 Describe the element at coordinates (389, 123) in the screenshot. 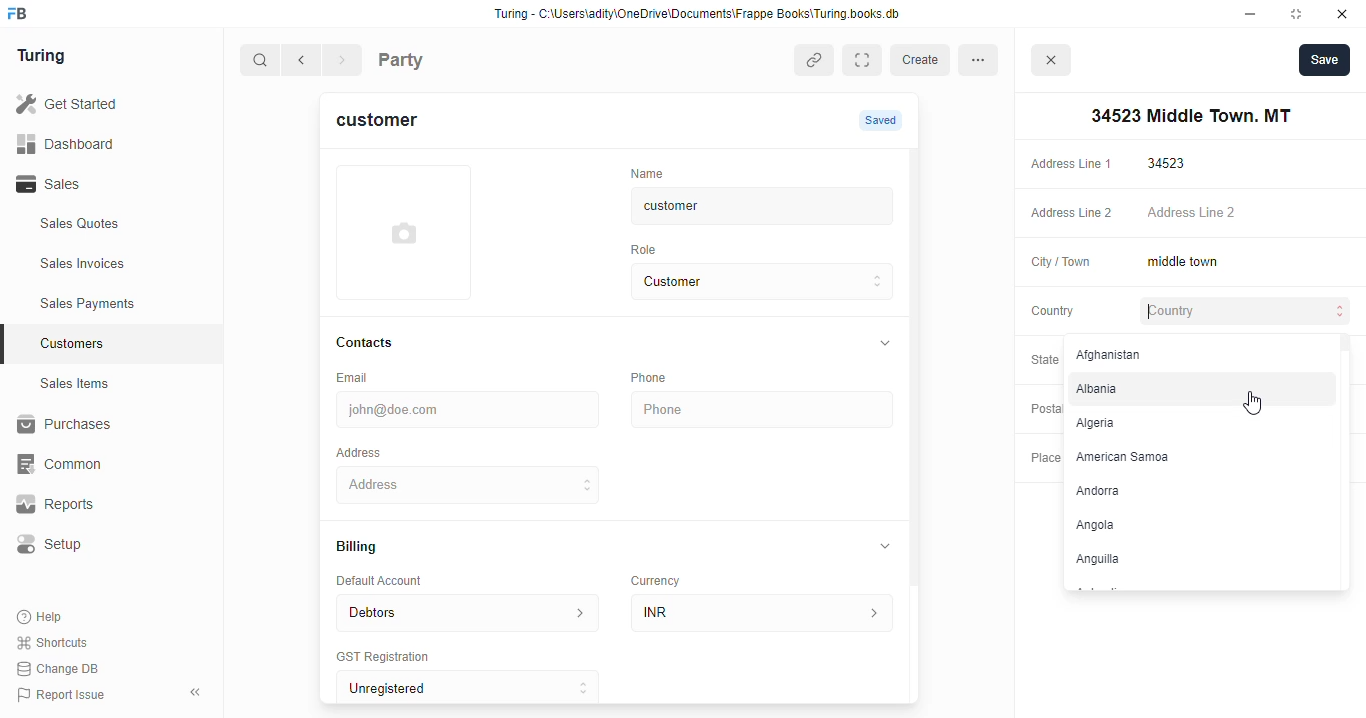

I see `customer` at that location.